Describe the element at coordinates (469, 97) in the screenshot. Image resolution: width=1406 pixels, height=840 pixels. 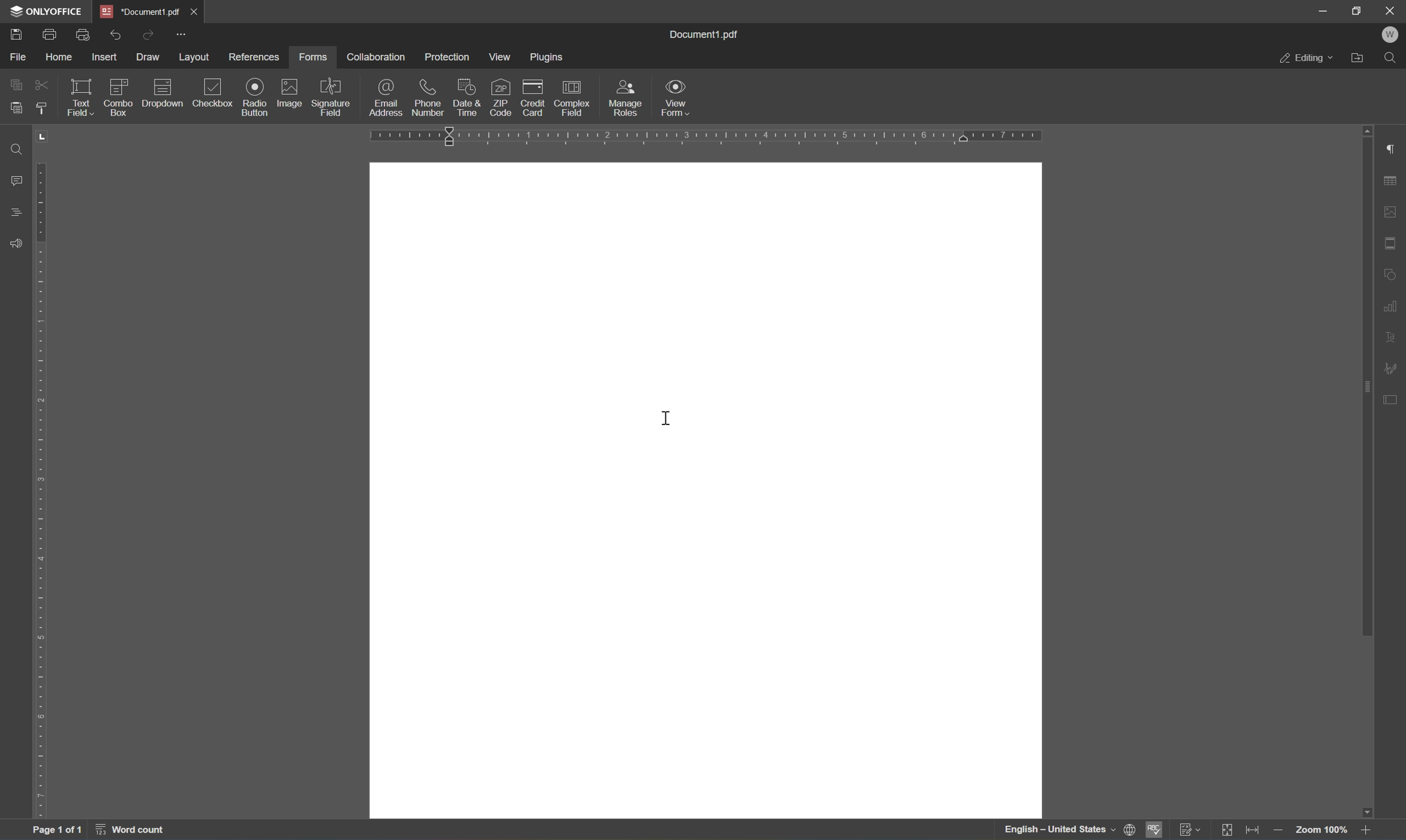
I see `date and time` at that location.